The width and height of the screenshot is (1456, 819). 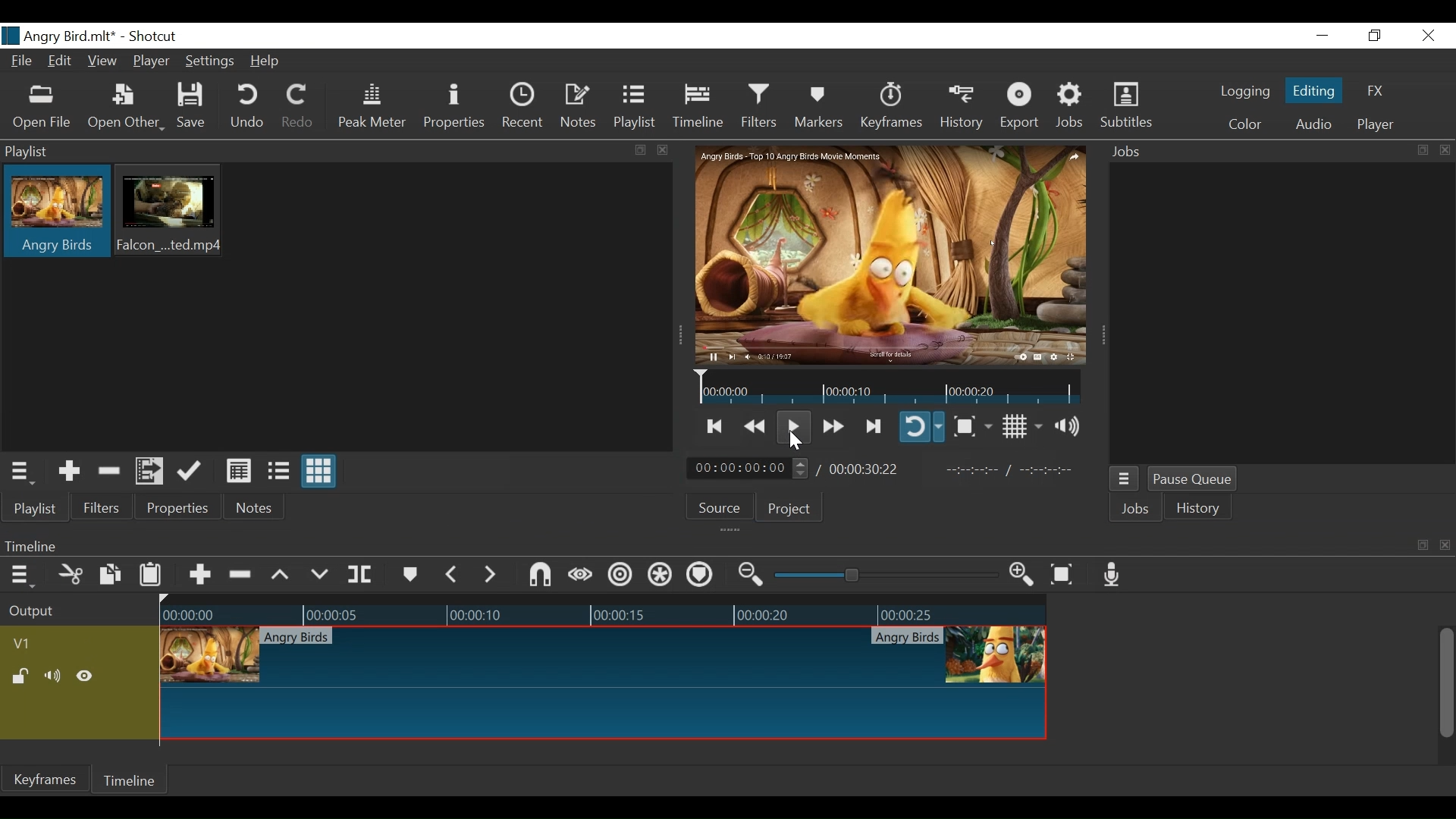 I want to click on Project, so click(x=790, y=511).